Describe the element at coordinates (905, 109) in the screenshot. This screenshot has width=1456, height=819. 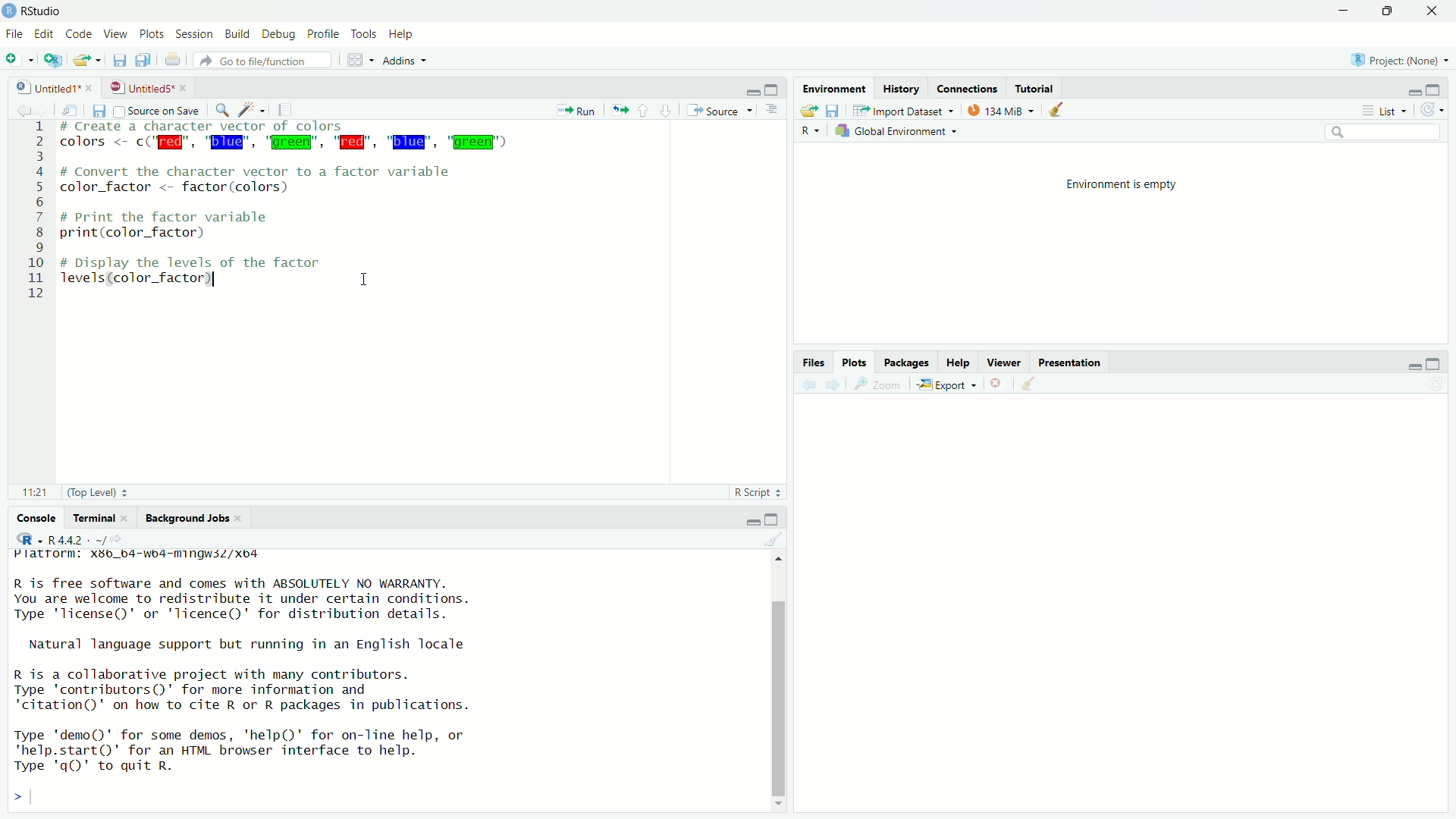
I see `import dataset` at that location.